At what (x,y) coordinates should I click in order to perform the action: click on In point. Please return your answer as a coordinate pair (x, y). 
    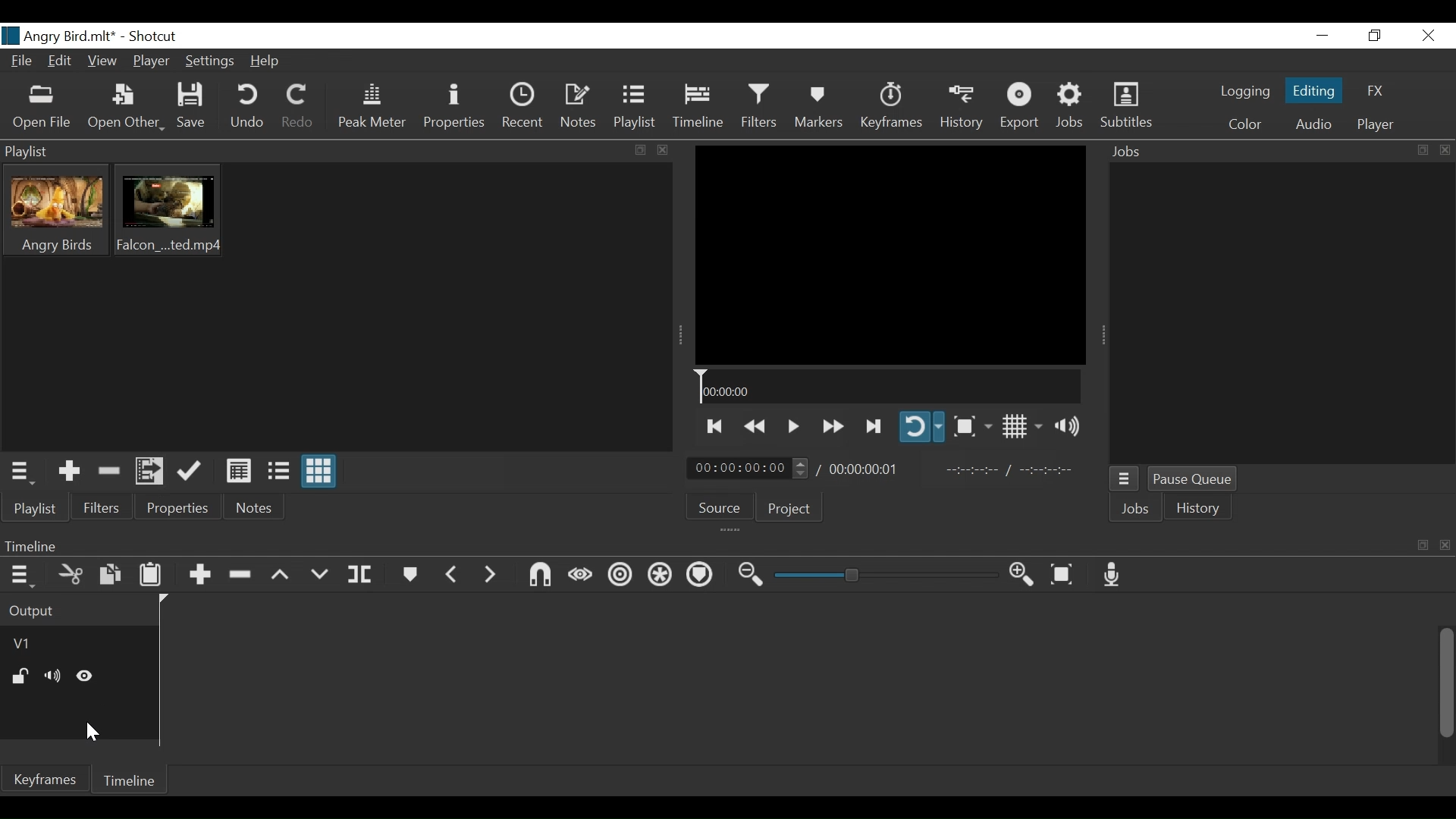
    Looking at the image, I should click on (1012, 469).